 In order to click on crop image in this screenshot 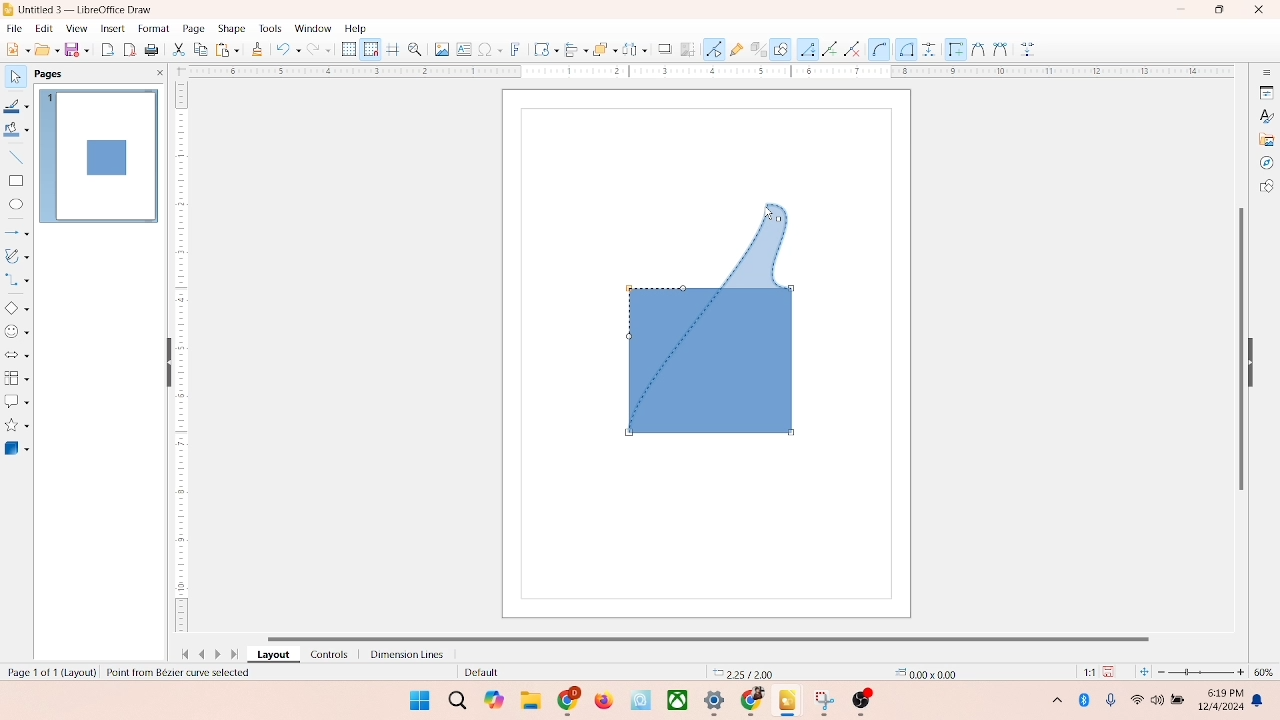, I will do `click(688, 49)`.